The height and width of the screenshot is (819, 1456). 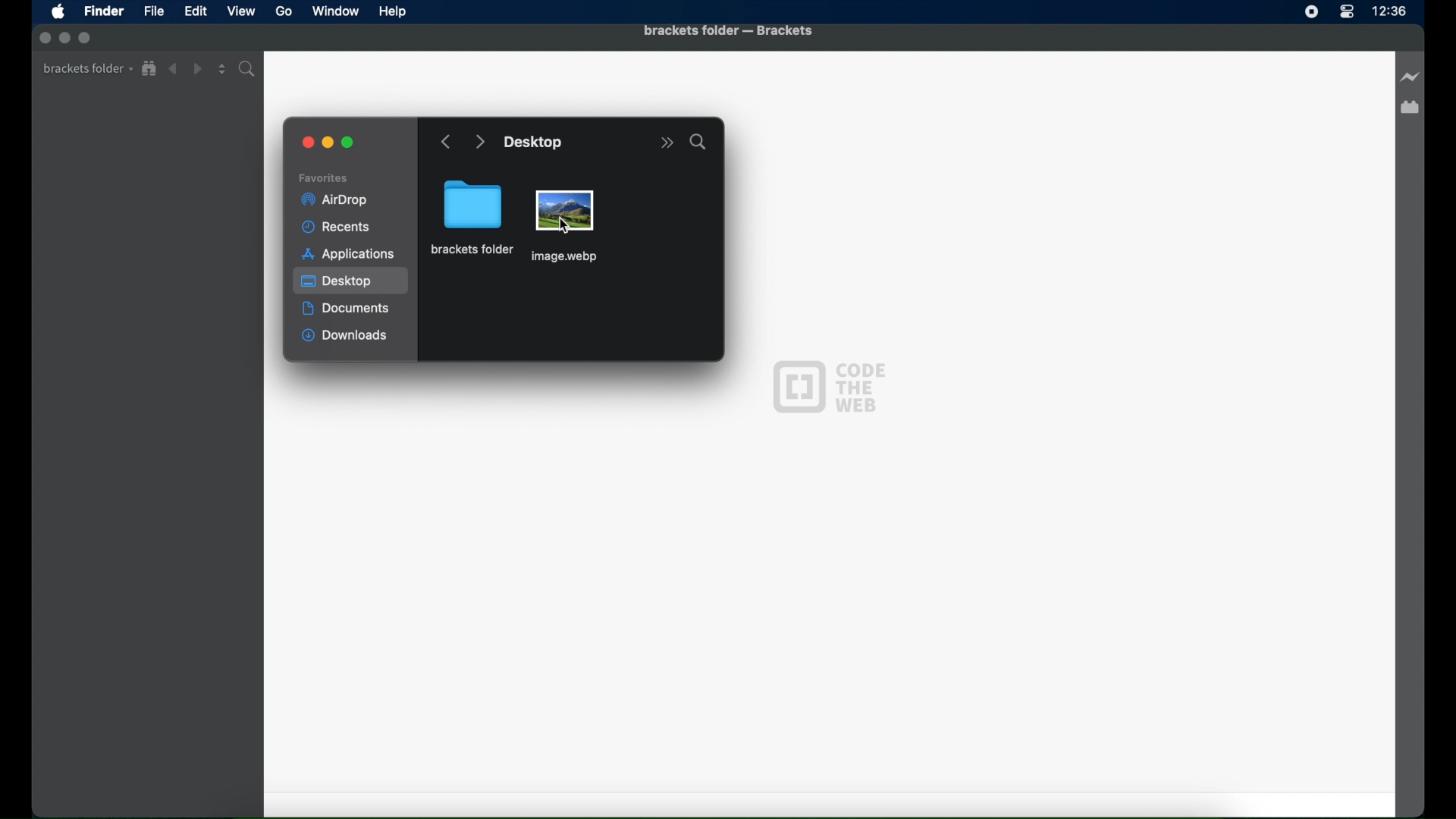 I want to click on find in folder, so click(x=249, y=69).